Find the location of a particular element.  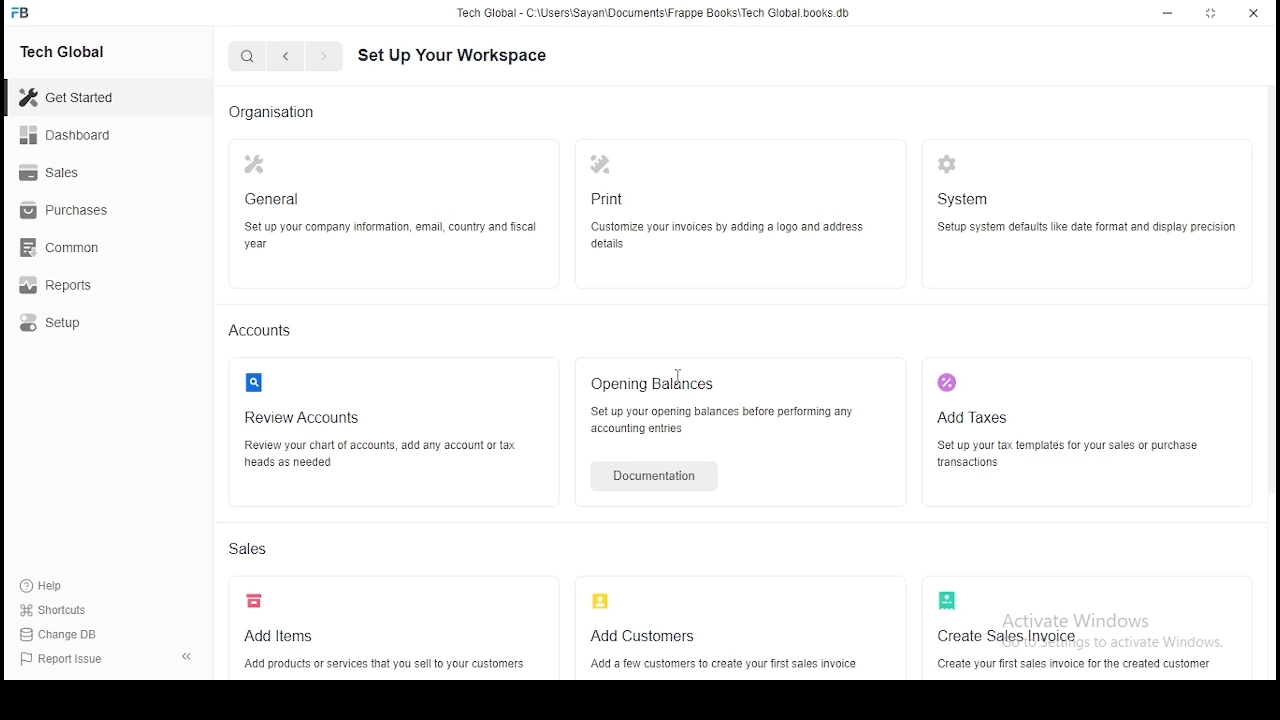

go forward  is located at coordinates (323, 58).